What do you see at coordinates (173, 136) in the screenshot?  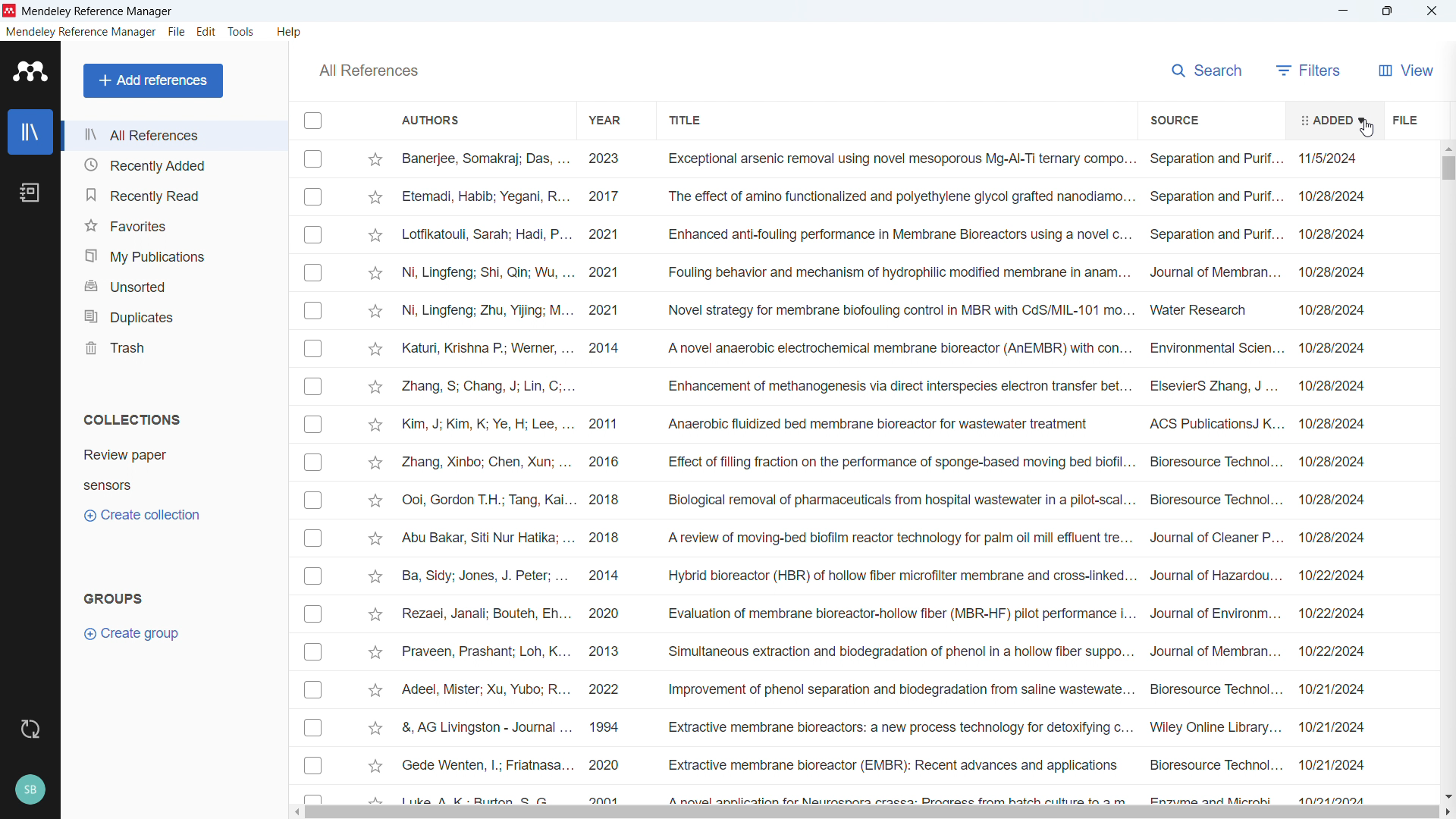 I see `All references ` at bounding box center [173, 136].